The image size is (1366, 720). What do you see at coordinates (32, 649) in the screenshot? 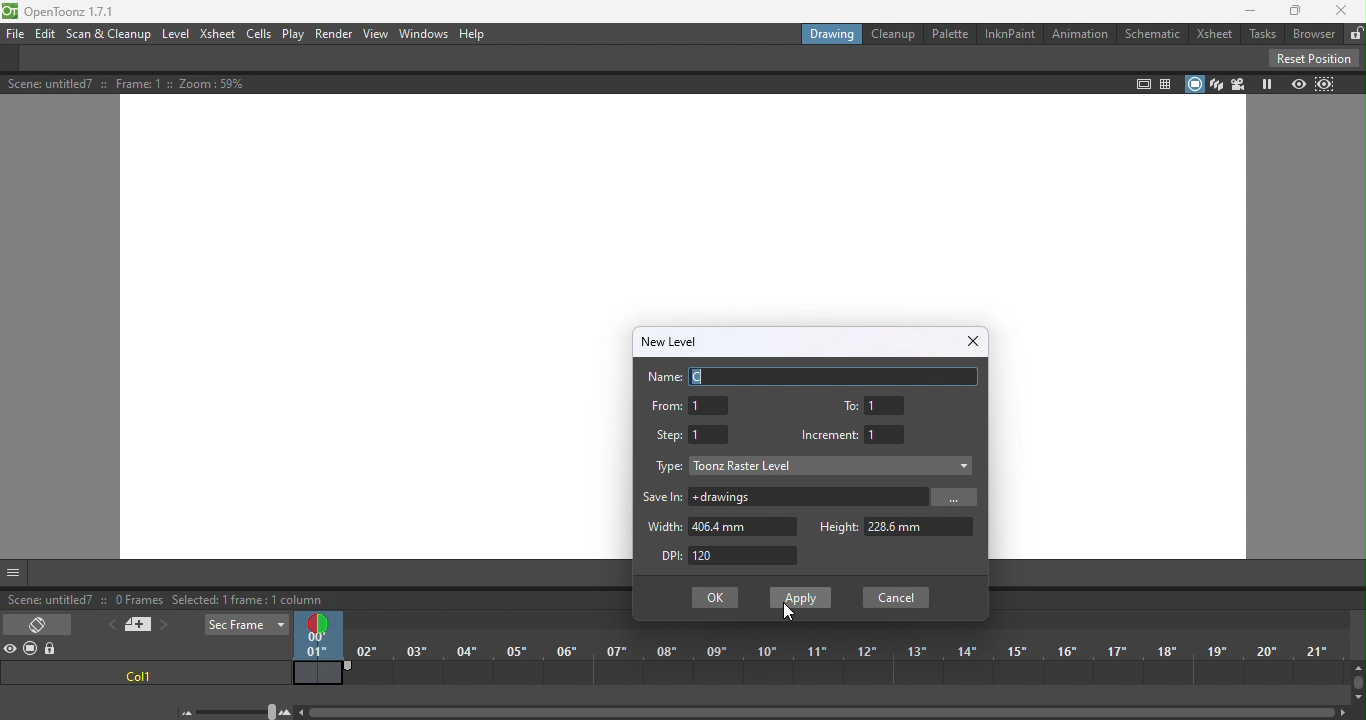
I see `Camera stand visibility toggle all` at bounding box center [32, 649].